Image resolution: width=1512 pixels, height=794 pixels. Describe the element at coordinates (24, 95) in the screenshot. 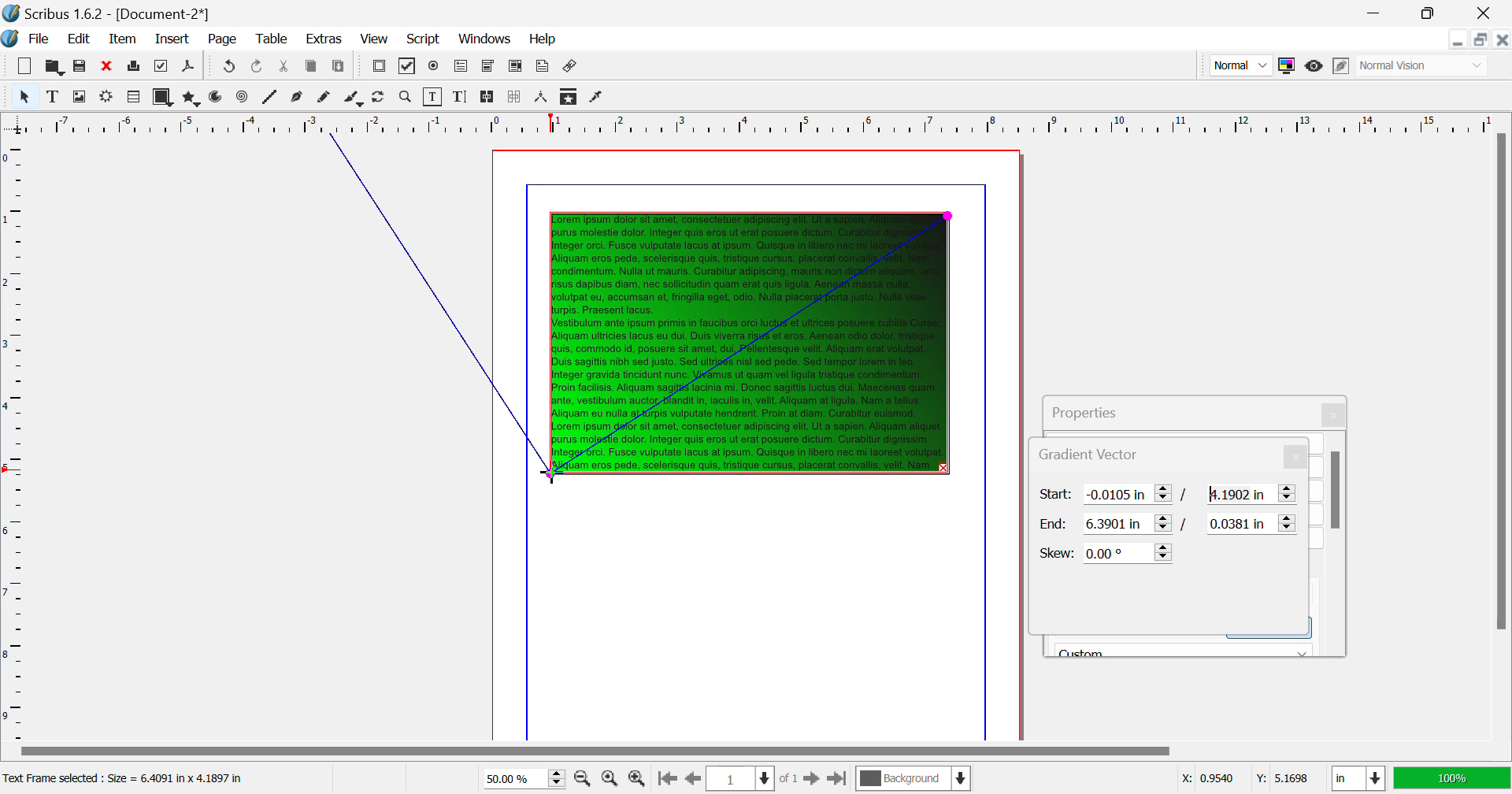

I see `Select` at that location.